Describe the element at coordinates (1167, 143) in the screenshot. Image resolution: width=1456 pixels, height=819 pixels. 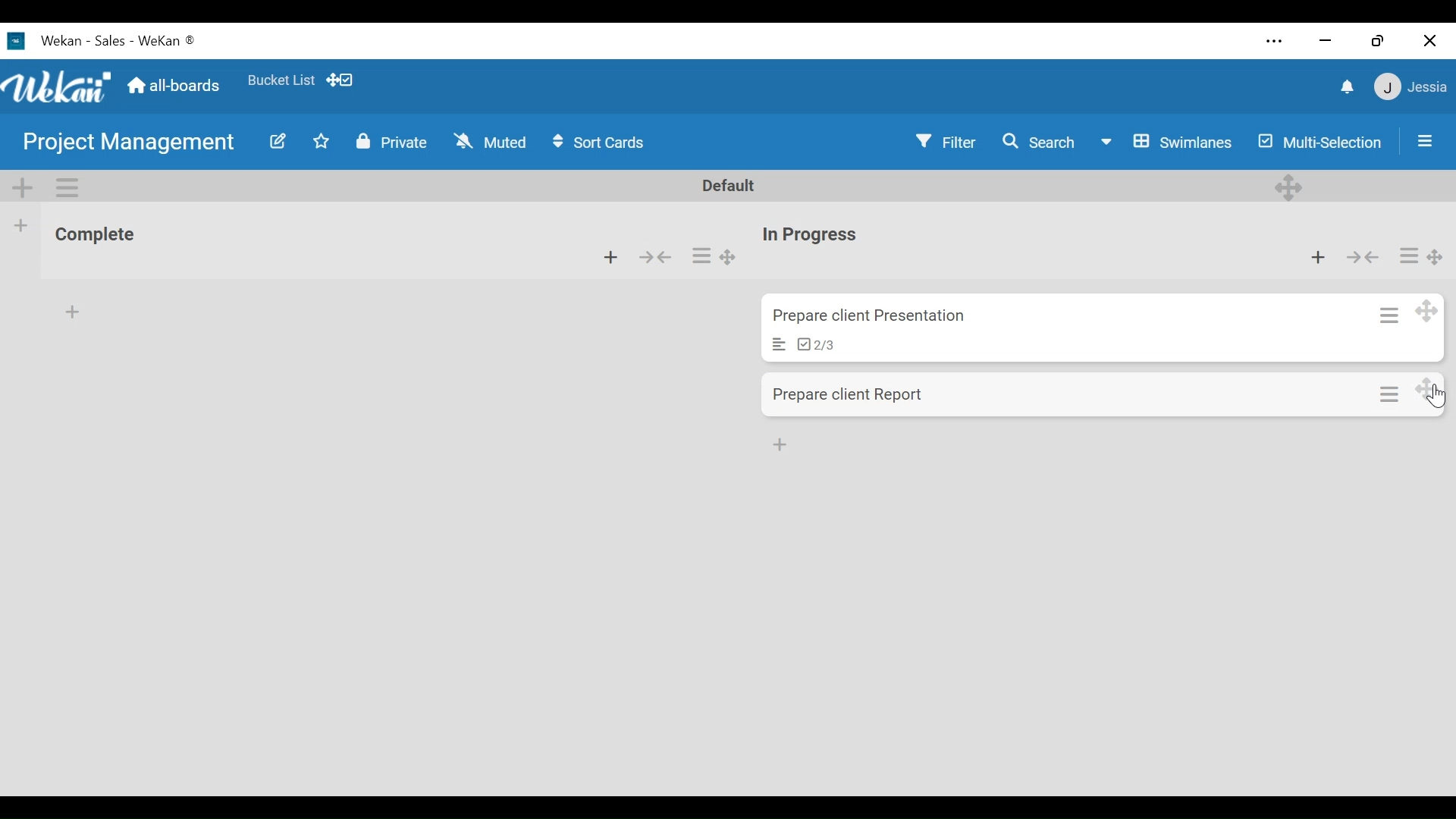
I see `Board View` at that location.